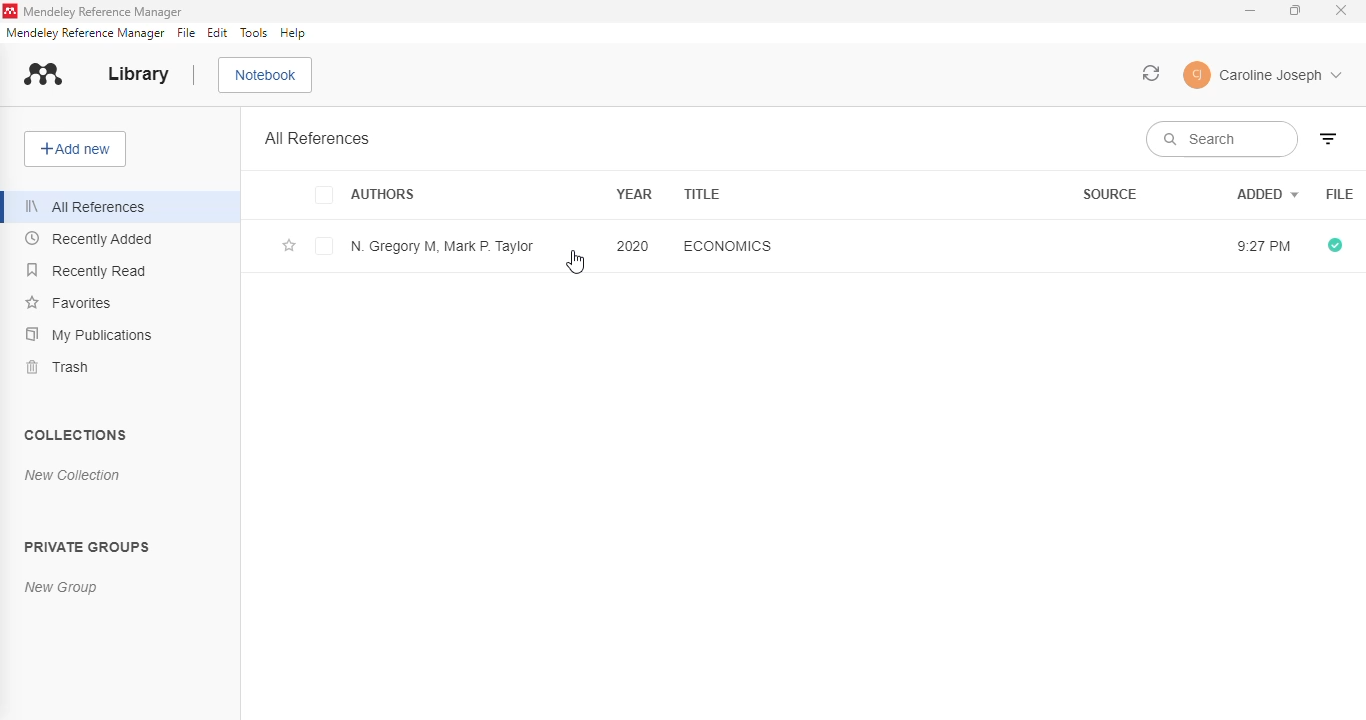 This screenshot has width=1366, height=720. I want to click on collections, so click(77, 434).